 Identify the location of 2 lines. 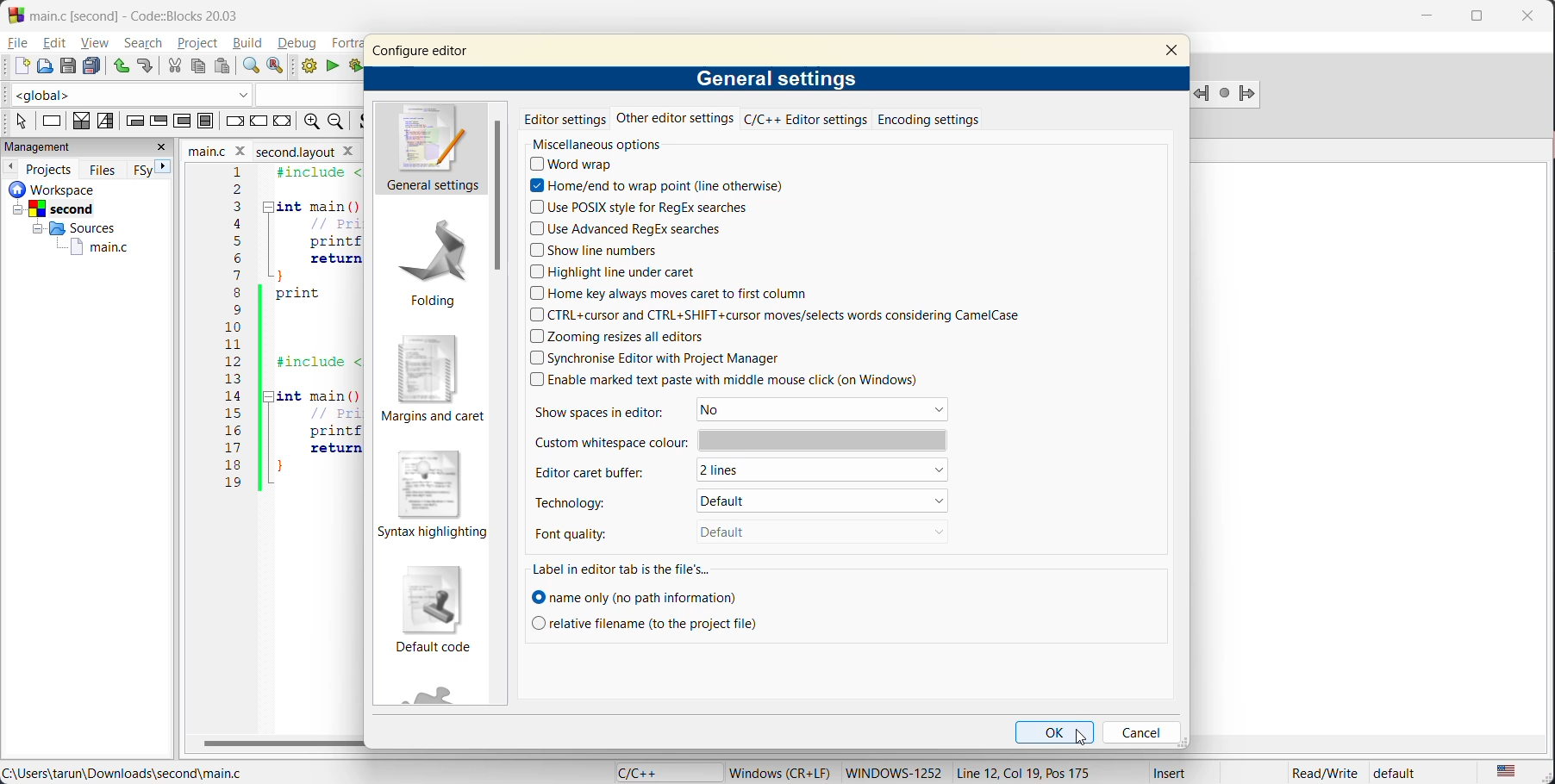
(828, 473).